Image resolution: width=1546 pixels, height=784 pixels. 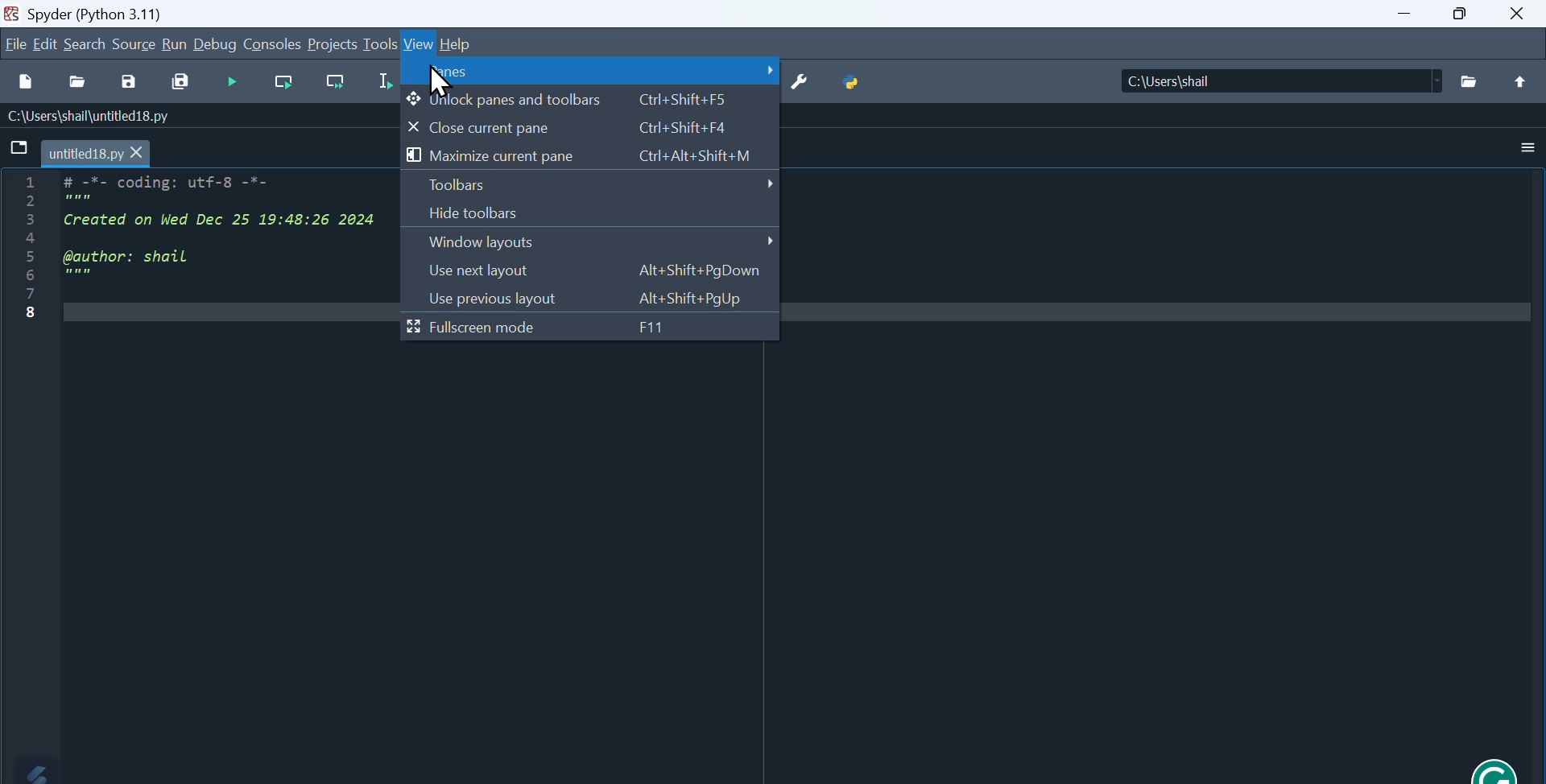 I want to click on , so click(x=1523, y=82).